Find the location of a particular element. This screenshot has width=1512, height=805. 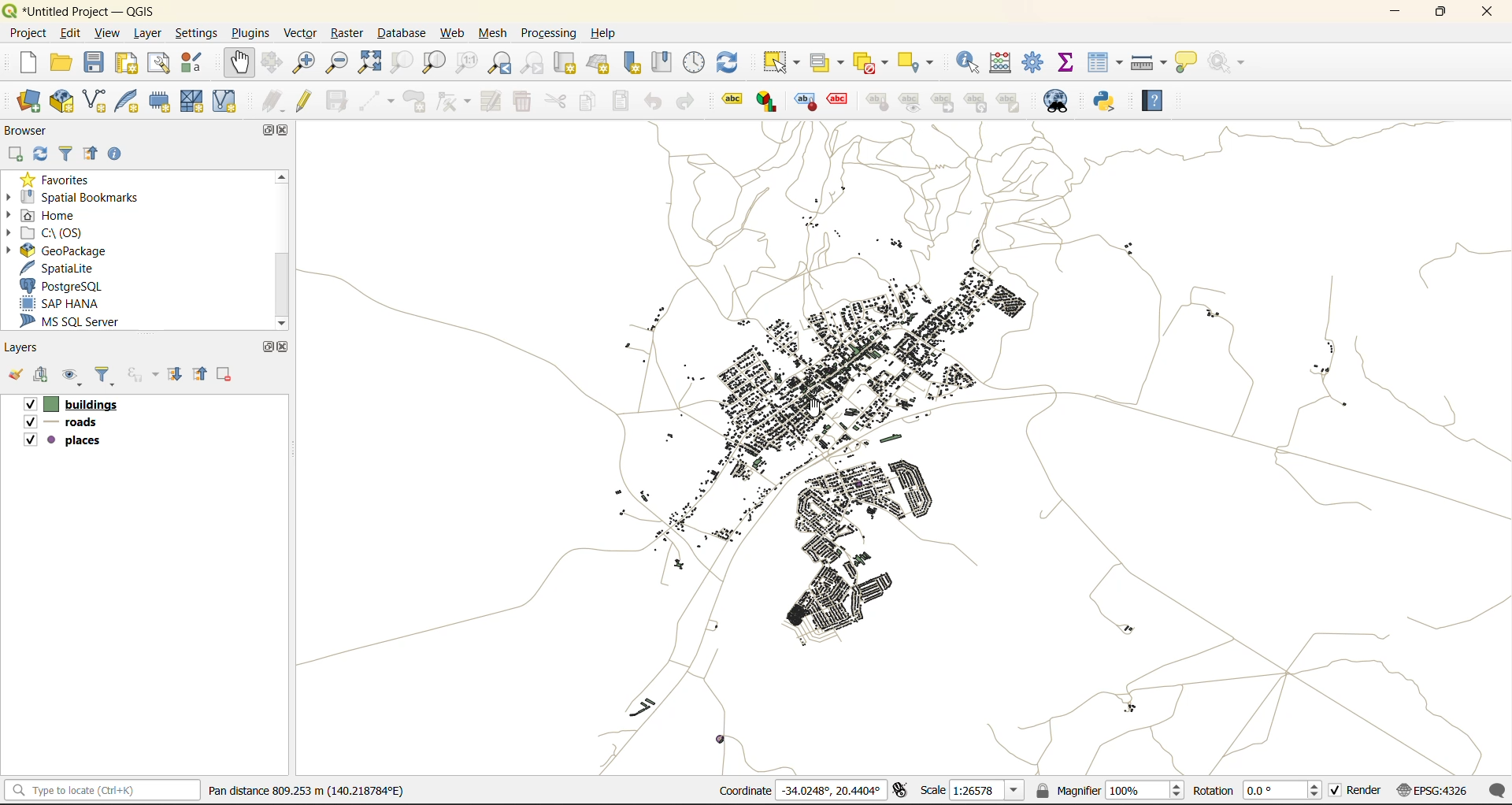

spatialite is located at coordinates (65, 265).